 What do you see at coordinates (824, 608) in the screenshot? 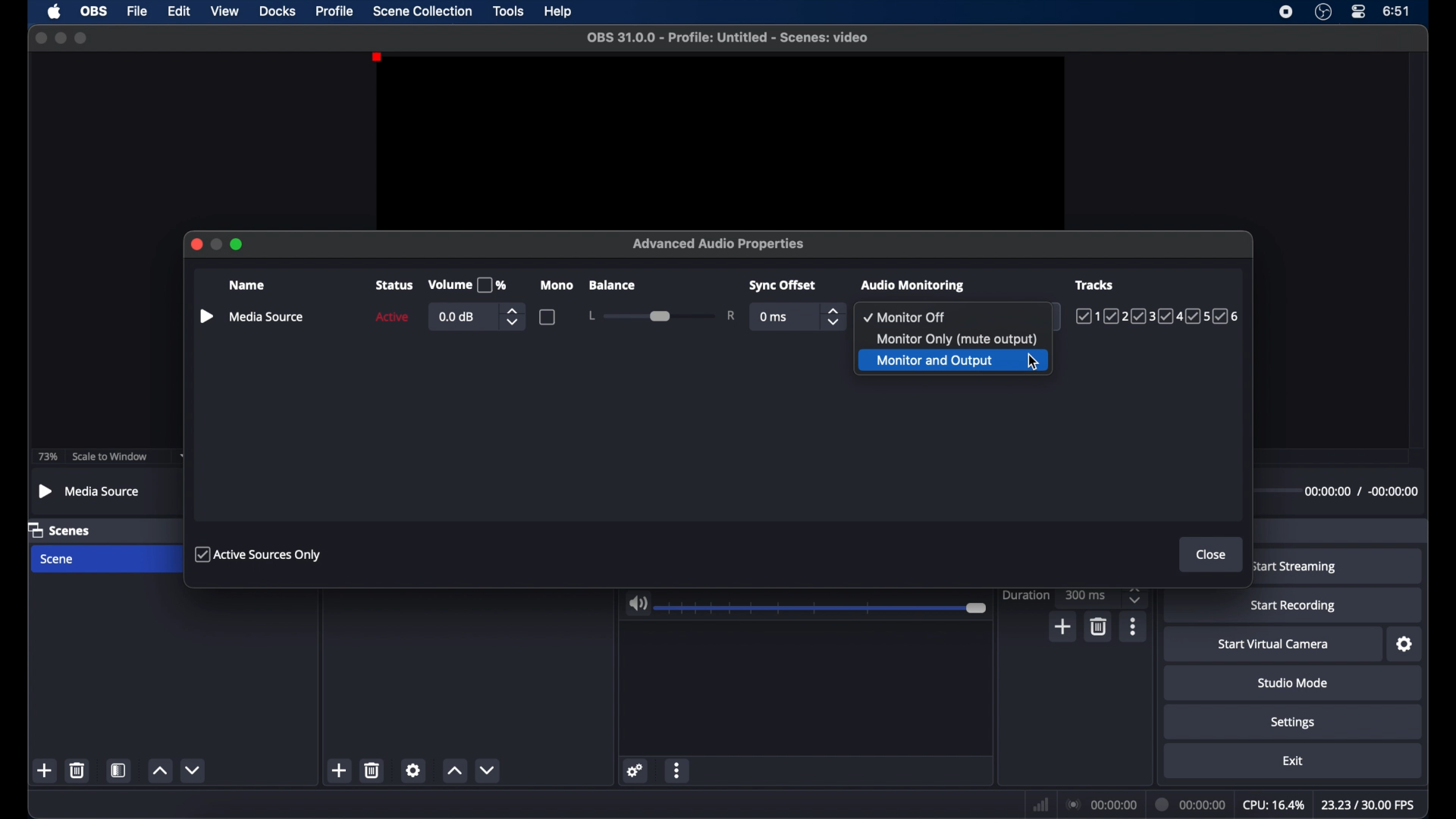
I see `slider` at bounding box center [824, 608].